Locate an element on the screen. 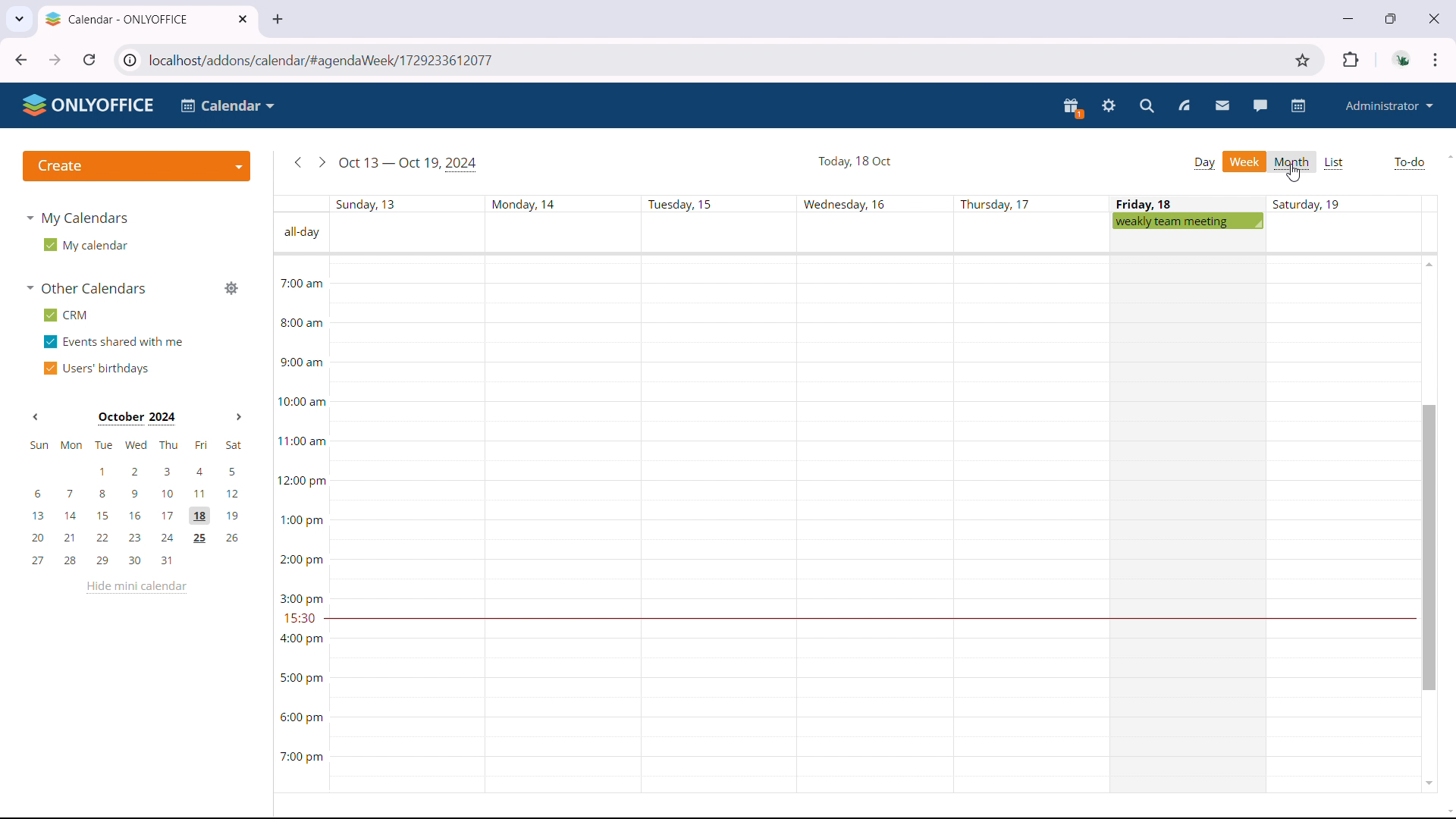 The width and height of the screenshot is (1456, 819). scrollbar is located at coordinates (1432, 547).